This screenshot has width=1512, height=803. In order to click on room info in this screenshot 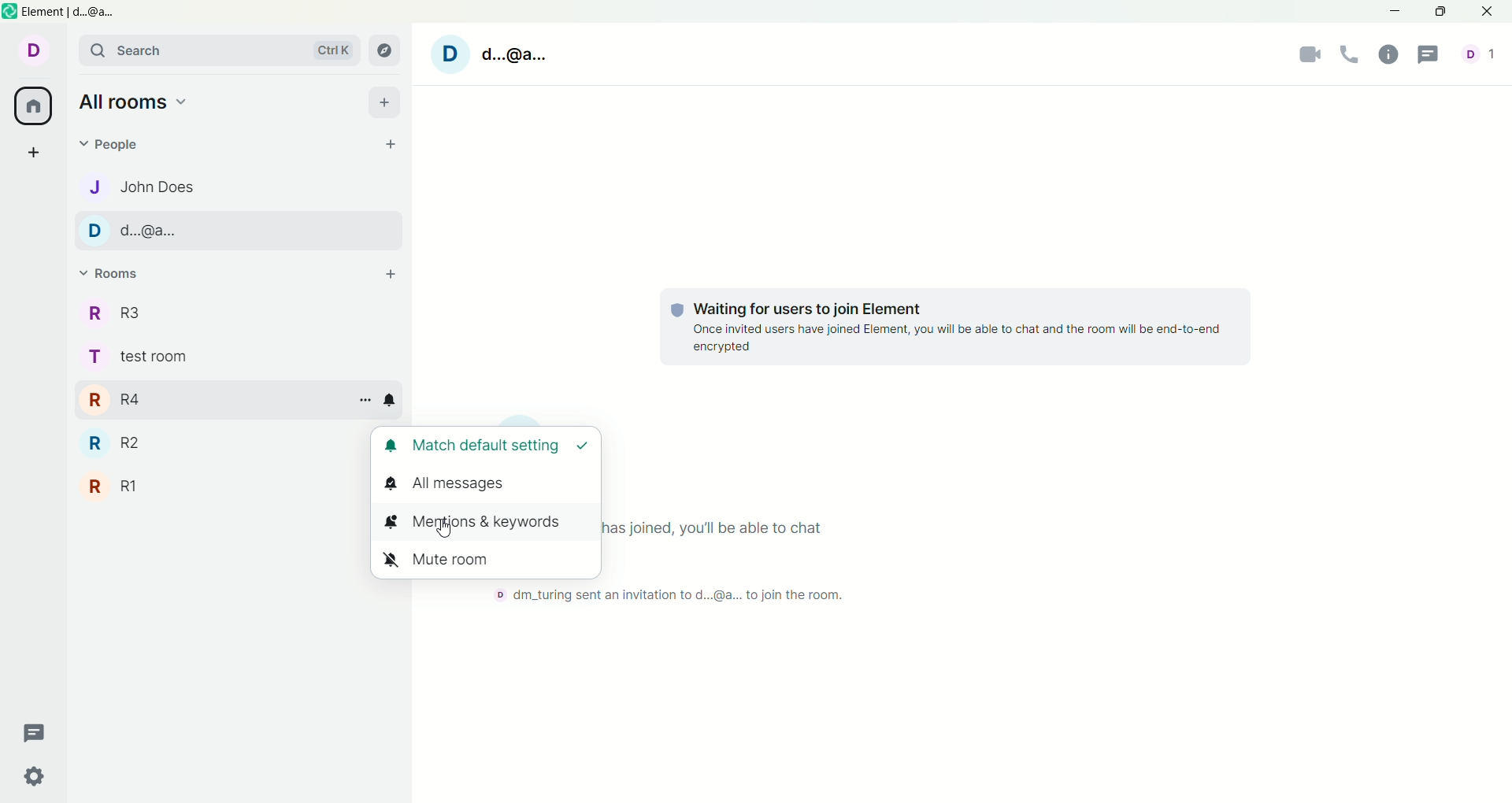, I will do `click(1392, 54)`.